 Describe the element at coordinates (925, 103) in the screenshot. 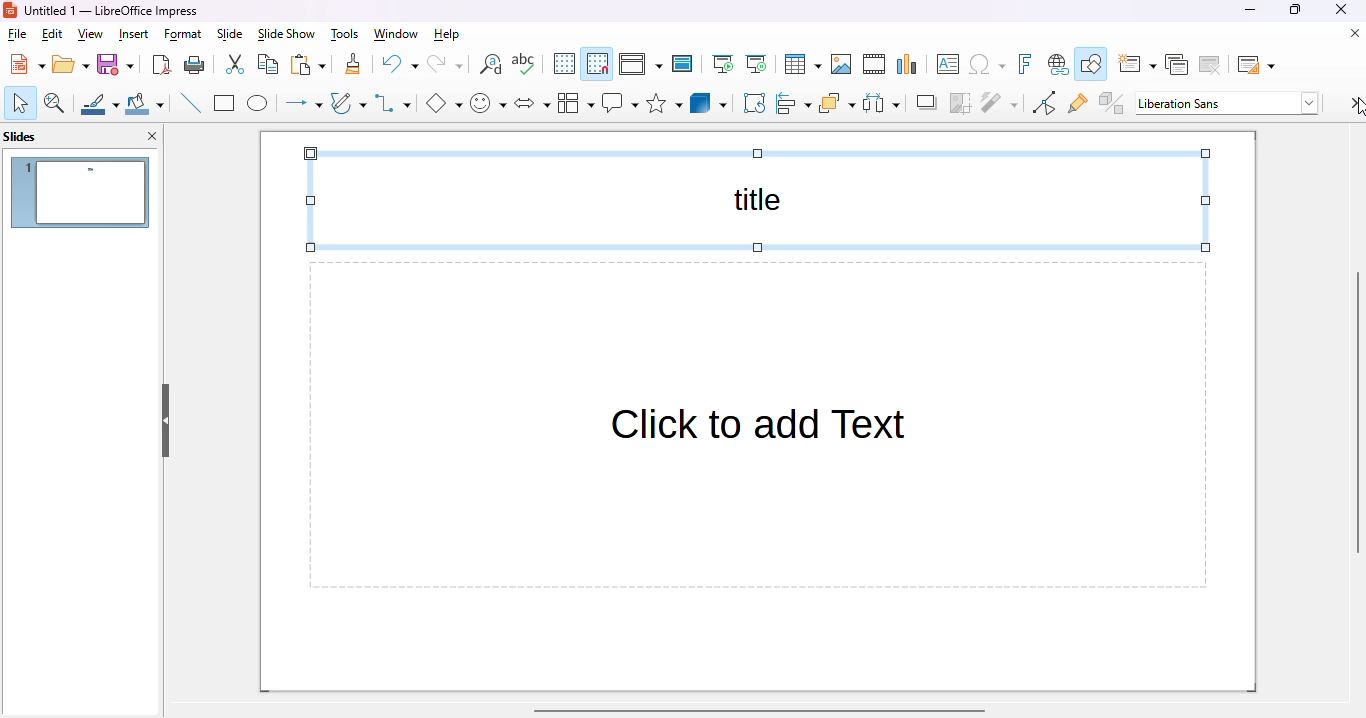

I see `shadow` at that location.